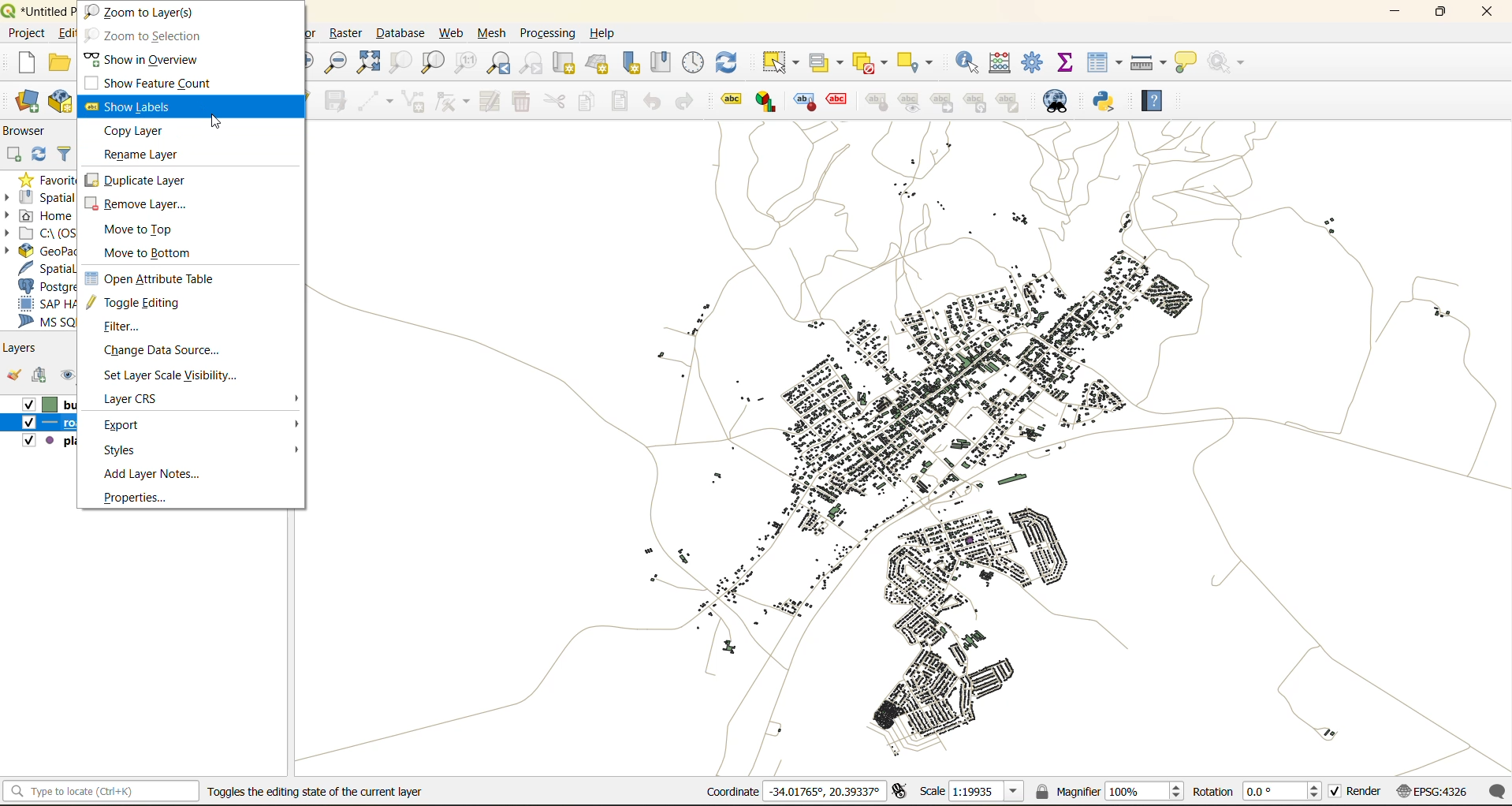  What do you see at coordinates (619, 103) in the screenshot?
I see `paste` at bounding box center [619, 103].